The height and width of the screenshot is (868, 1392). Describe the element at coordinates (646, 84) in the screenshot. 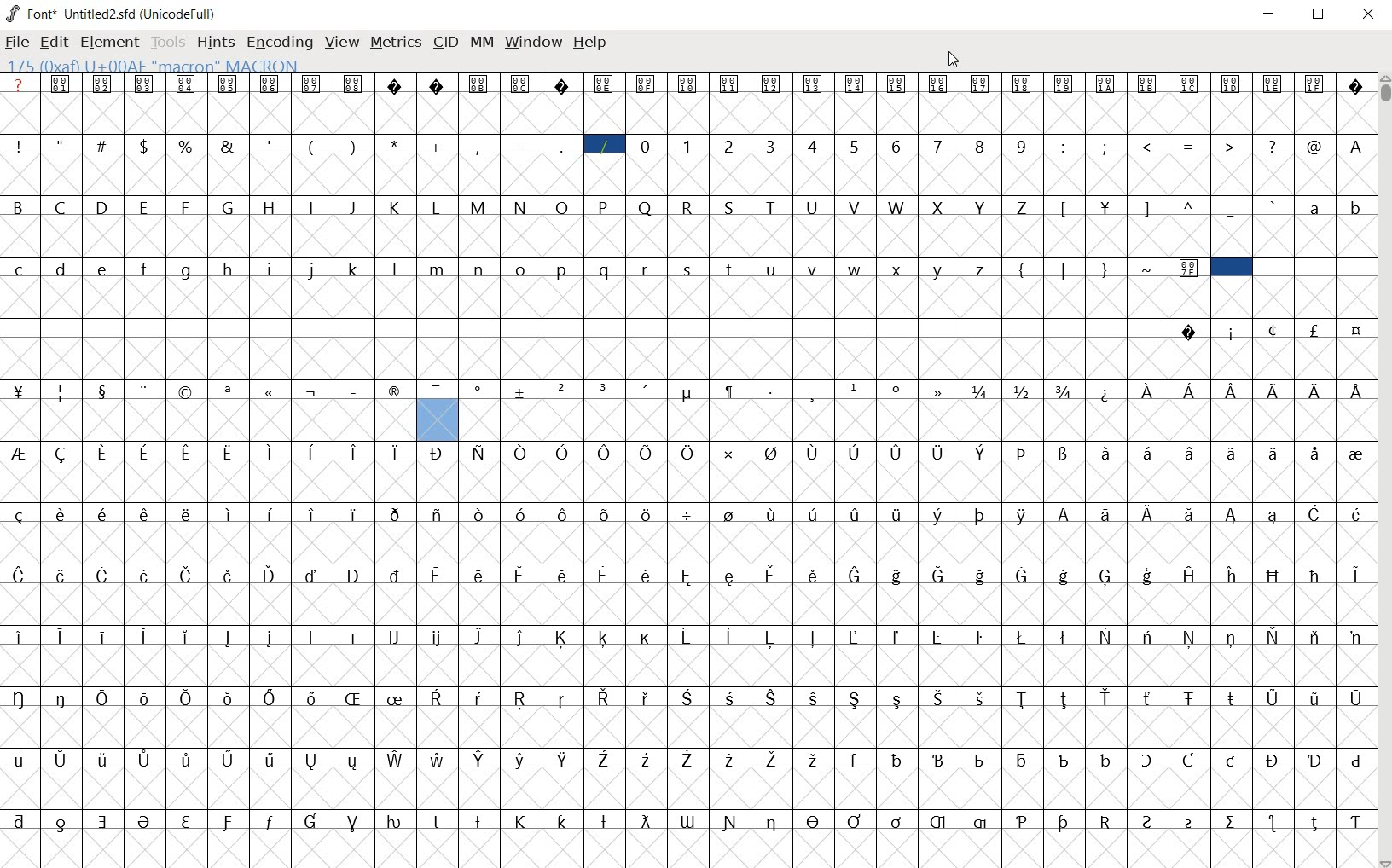

I see `Symbol` at that location.